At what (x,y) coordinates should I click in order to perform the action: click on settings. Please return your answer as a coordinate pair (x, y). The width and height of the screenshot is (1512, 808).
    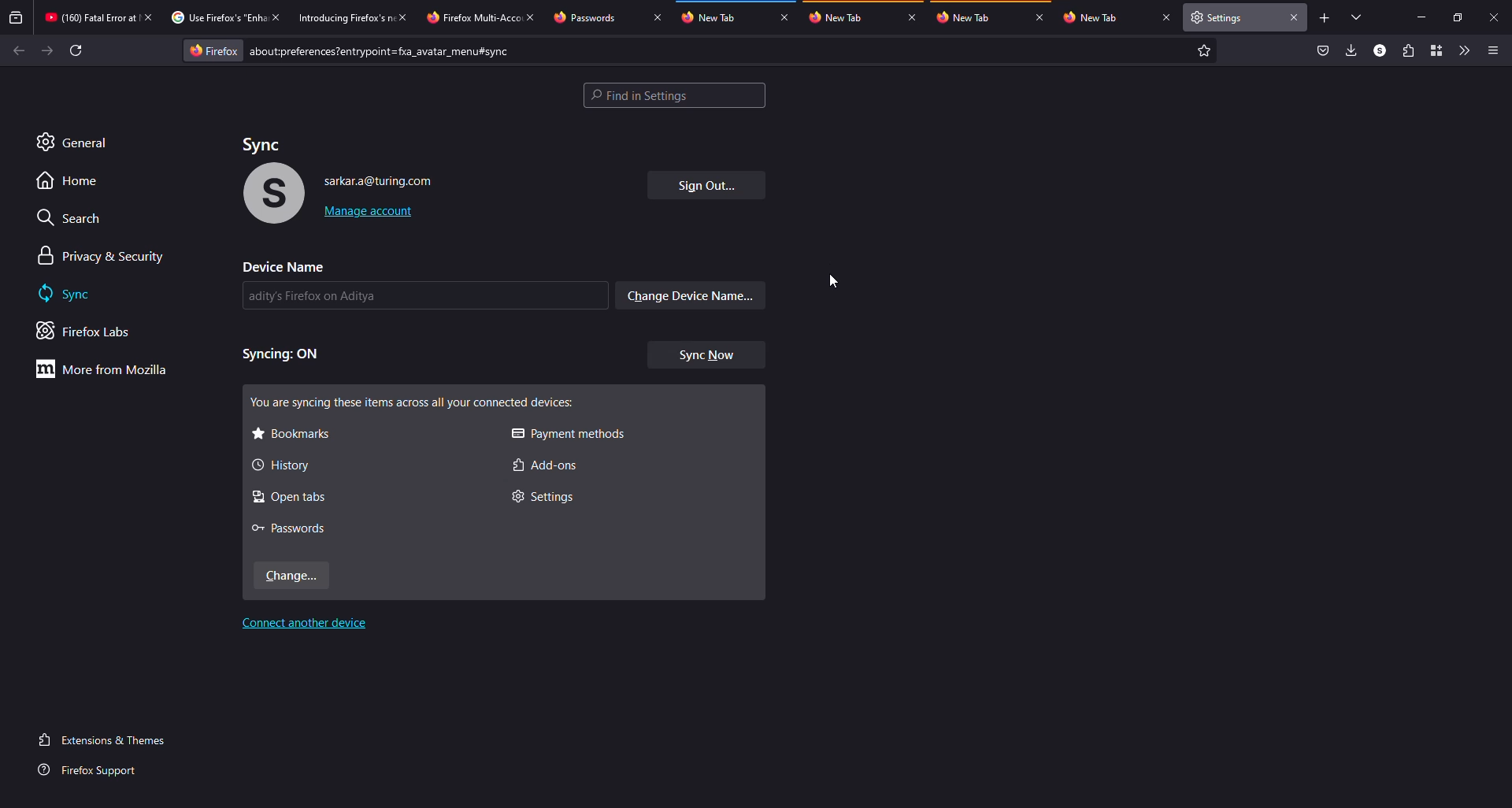
    Looking at the image, I should click on (676, 96).